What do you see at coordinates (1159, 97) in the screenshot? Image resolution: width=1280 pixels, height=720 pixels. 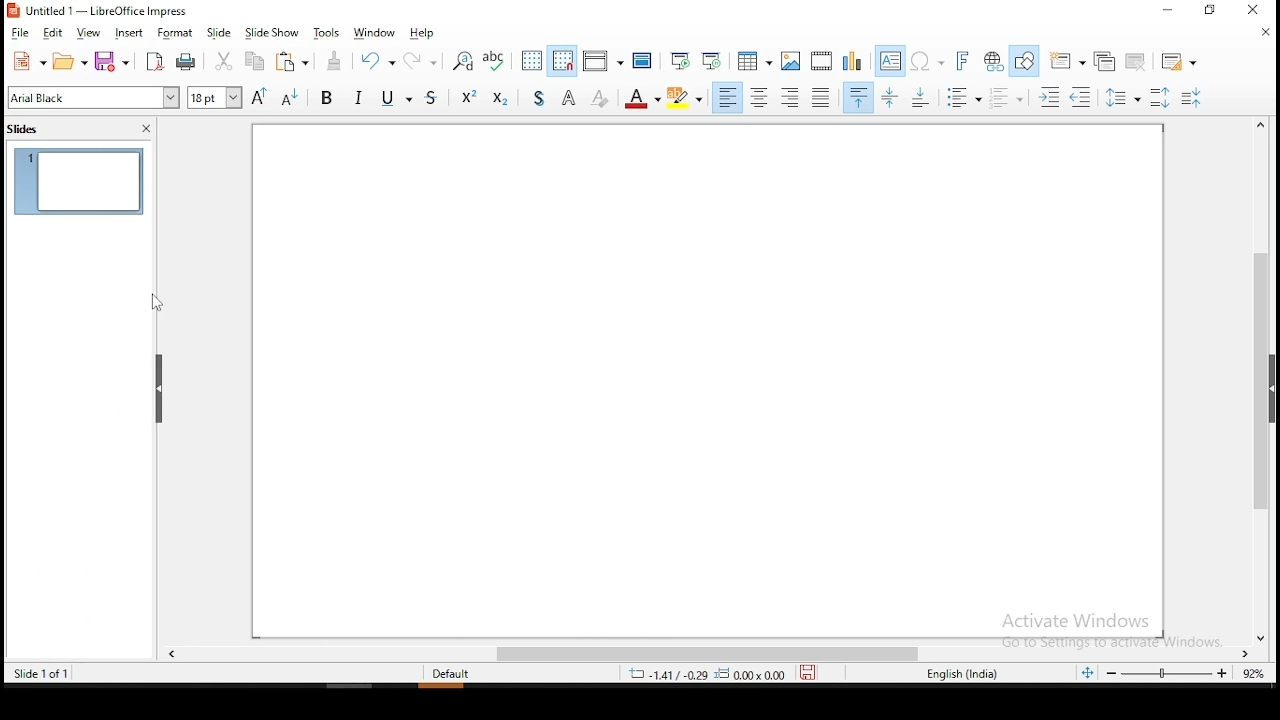 I see `icrease paragraph spacing` at bounding box center [1159, 97].